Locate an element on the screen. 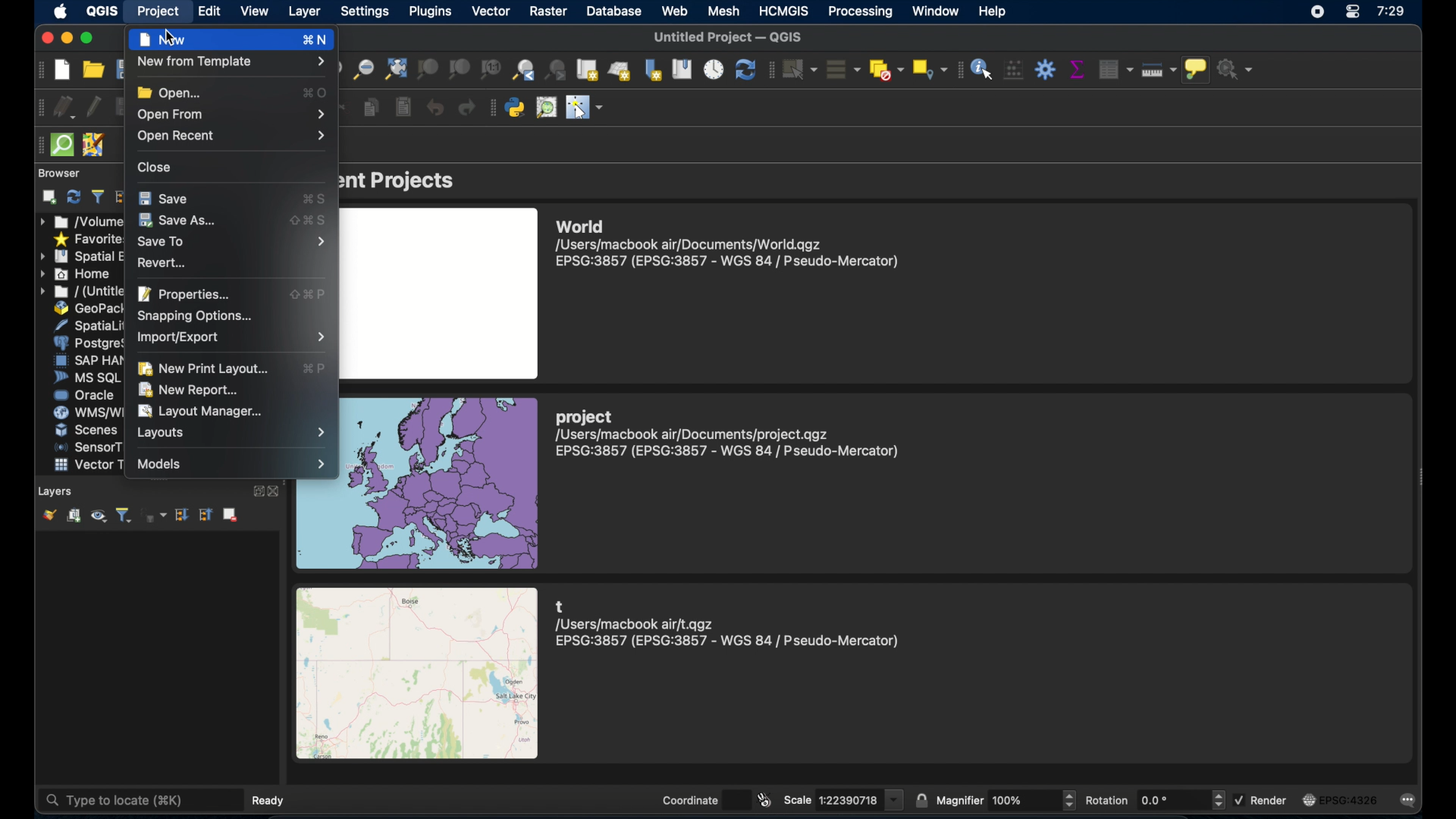 The image size is (1456, 819). open project is located at coordinates (93, 70).